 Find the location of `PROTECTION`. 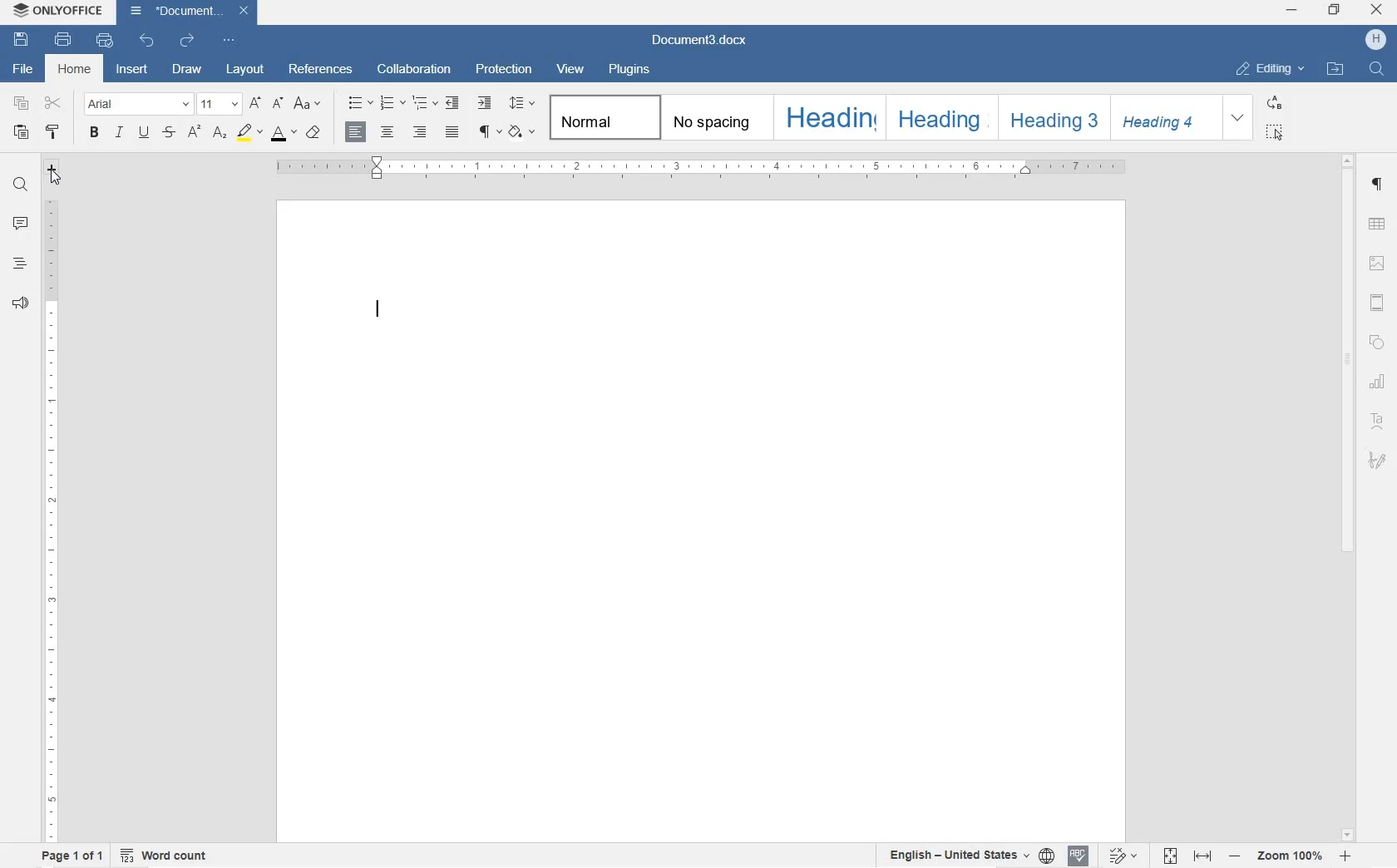

PROTECTION is located at coordinates (503, 68).